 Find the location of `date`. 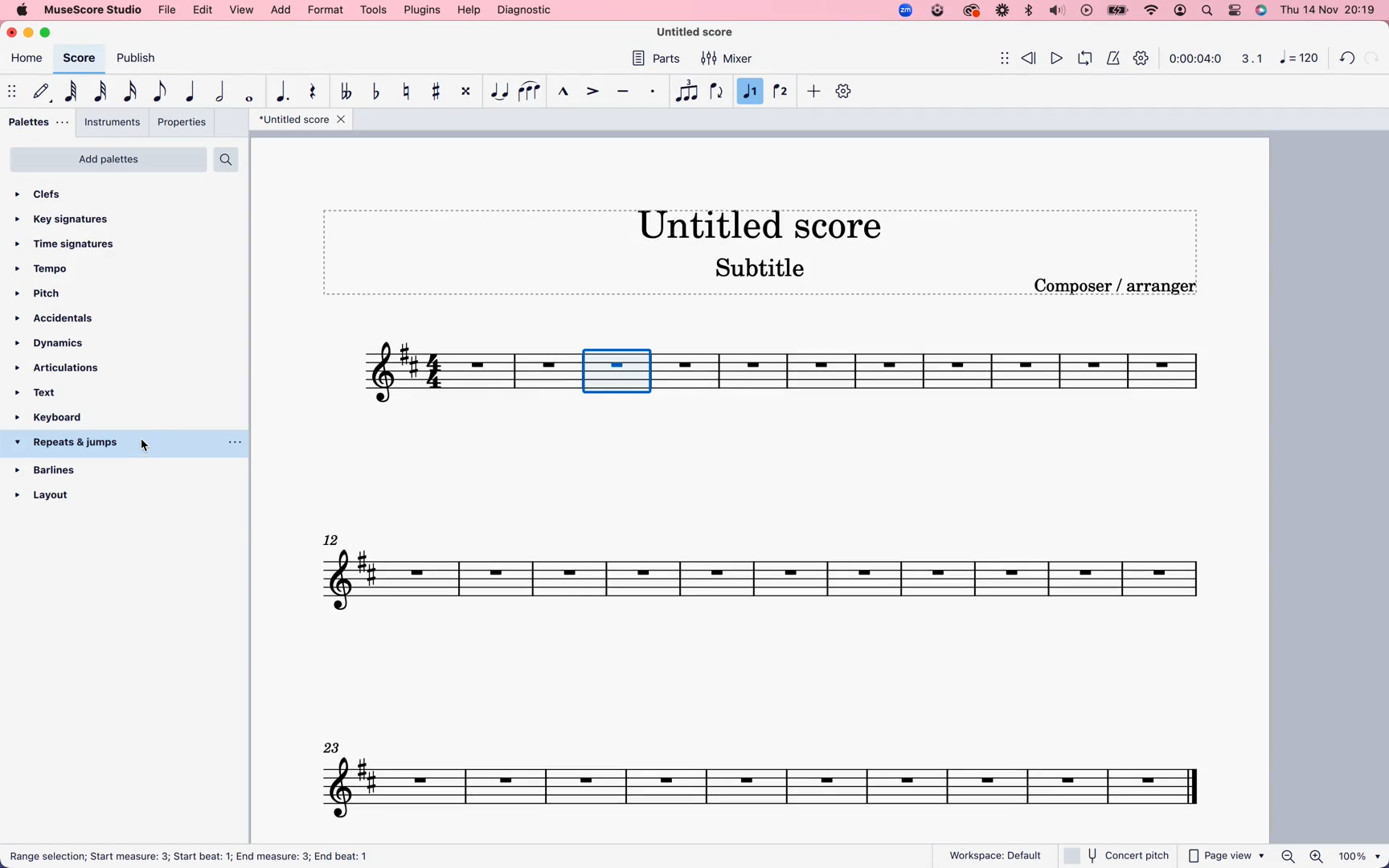

date is located at coordinates (1326, 10).